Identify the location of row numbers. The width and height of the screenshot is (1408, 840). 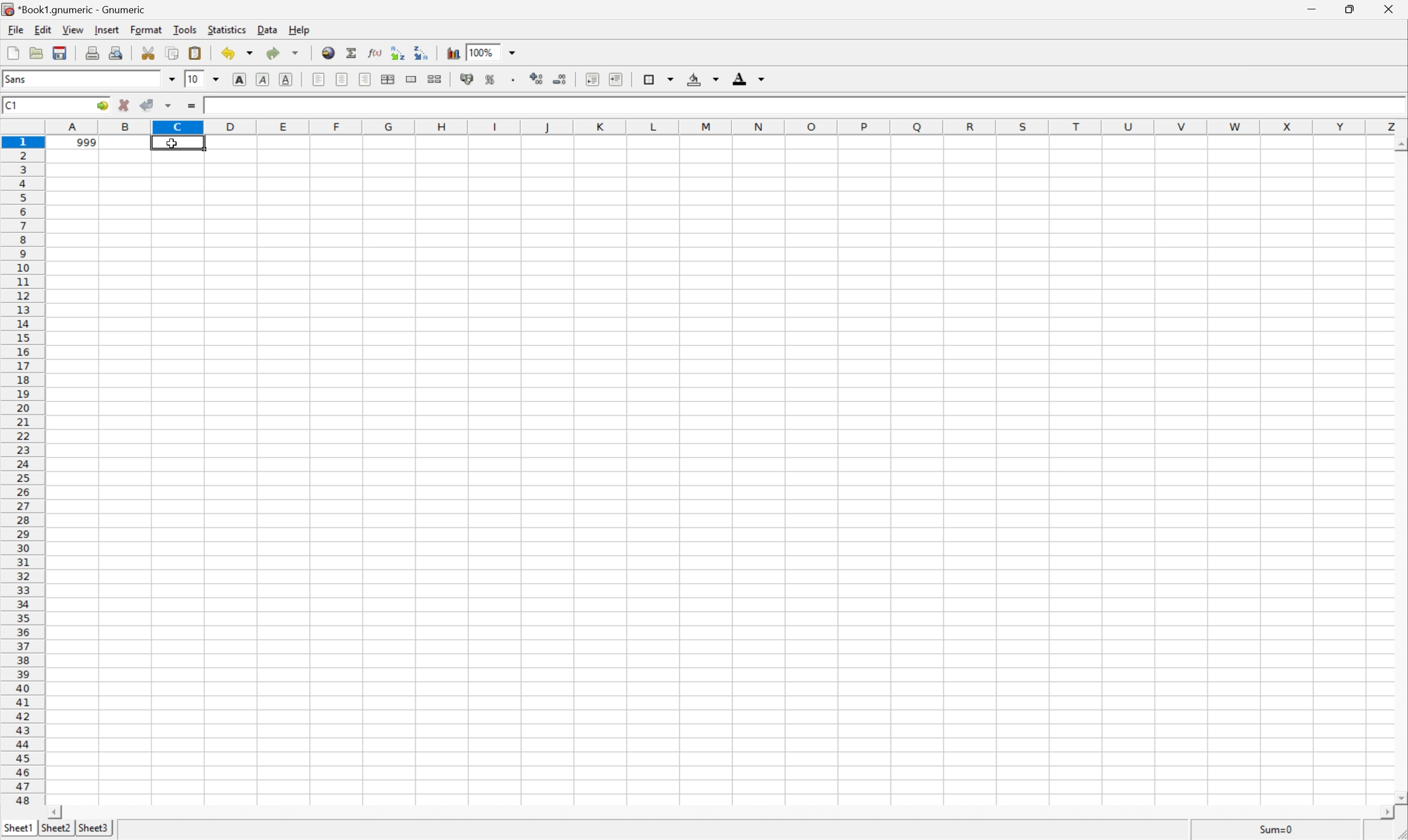
(23, 472).